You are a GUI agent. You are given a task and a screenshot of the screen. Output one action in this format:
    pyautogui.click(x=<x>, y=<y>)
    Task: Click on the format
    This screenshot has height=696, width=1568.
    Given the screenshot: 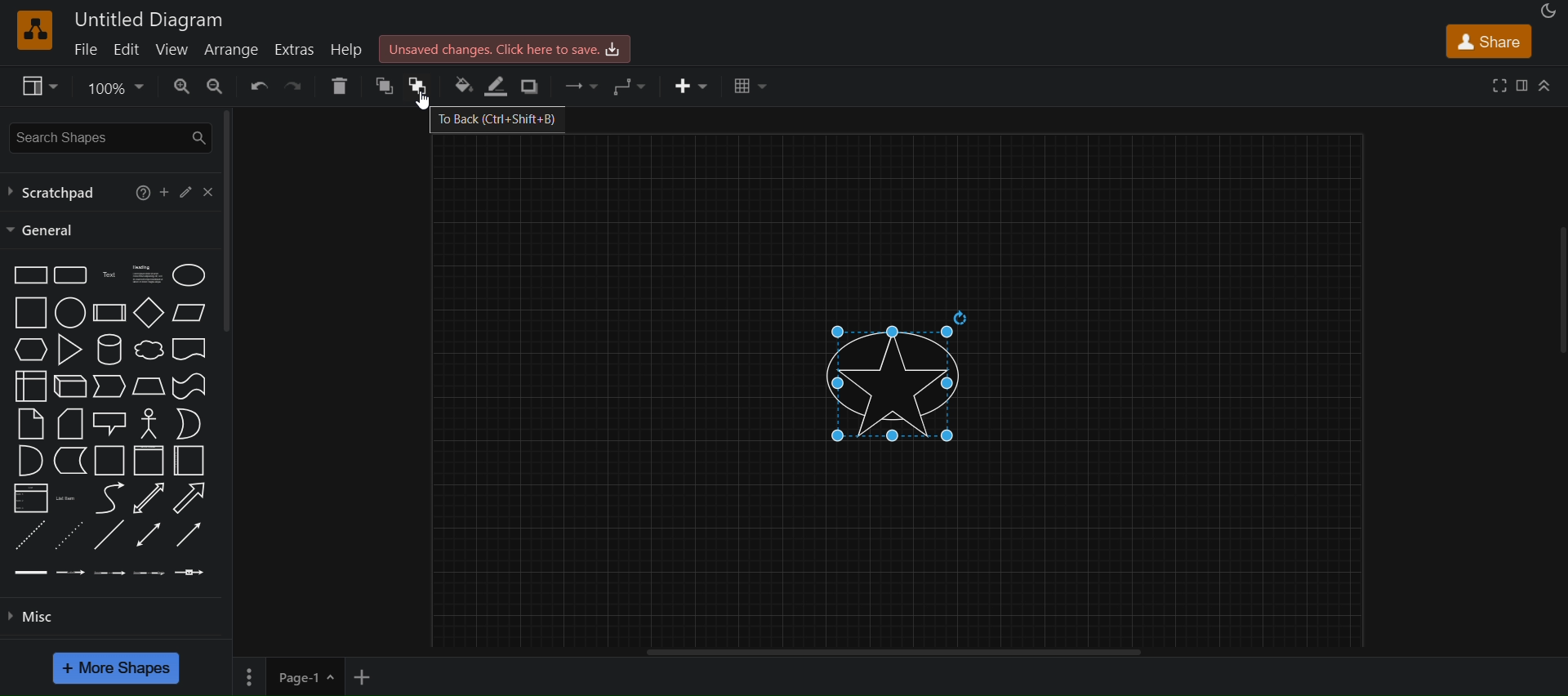 What is the action you would take?
    pyautogui.click(x=1525, y=87)
    